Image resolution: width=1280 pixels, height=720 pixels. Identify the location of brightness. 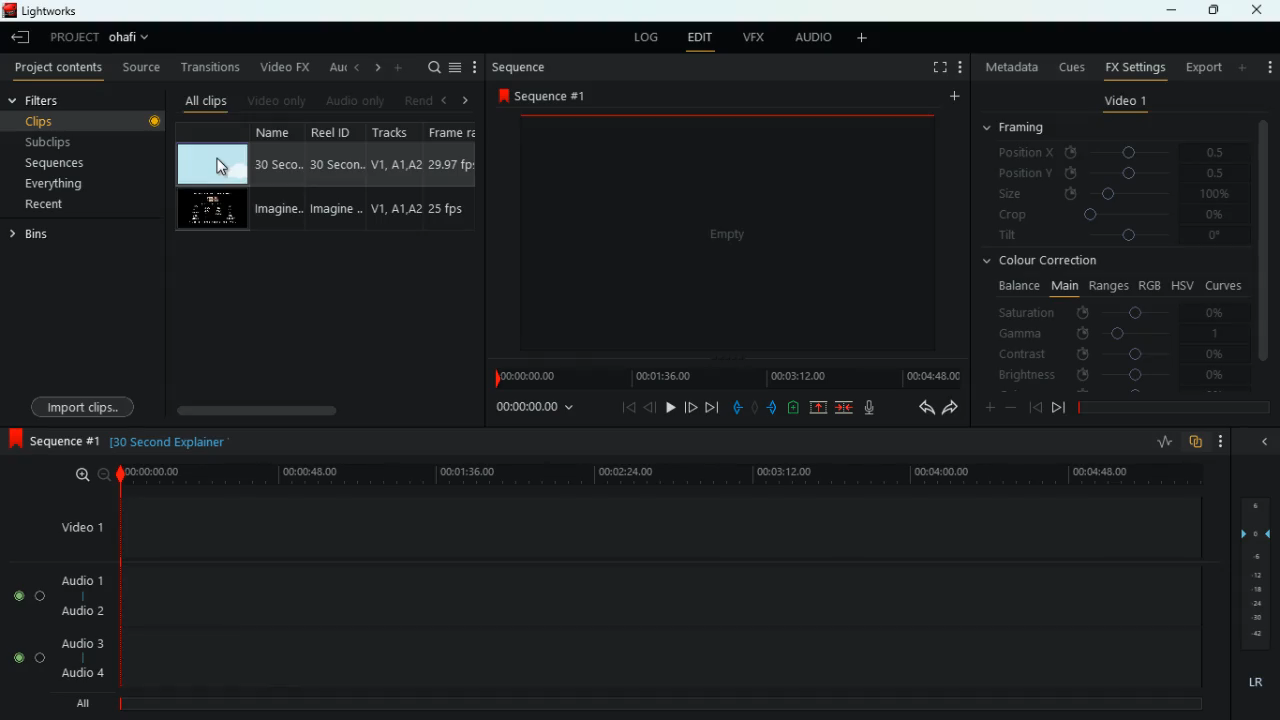
(1113, 374).